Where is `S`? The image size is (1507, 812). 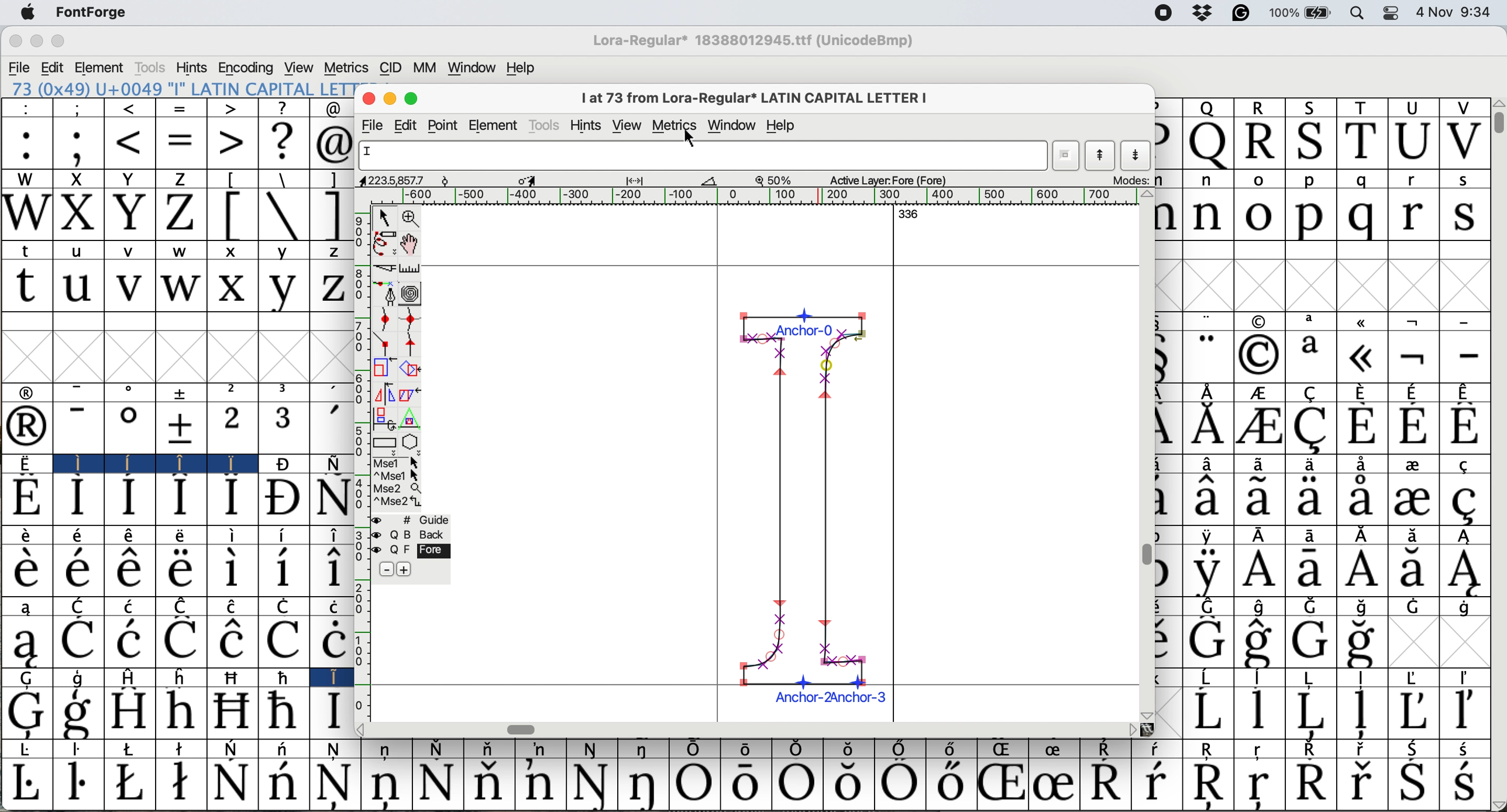
S is located at coordinates (1312, 142).